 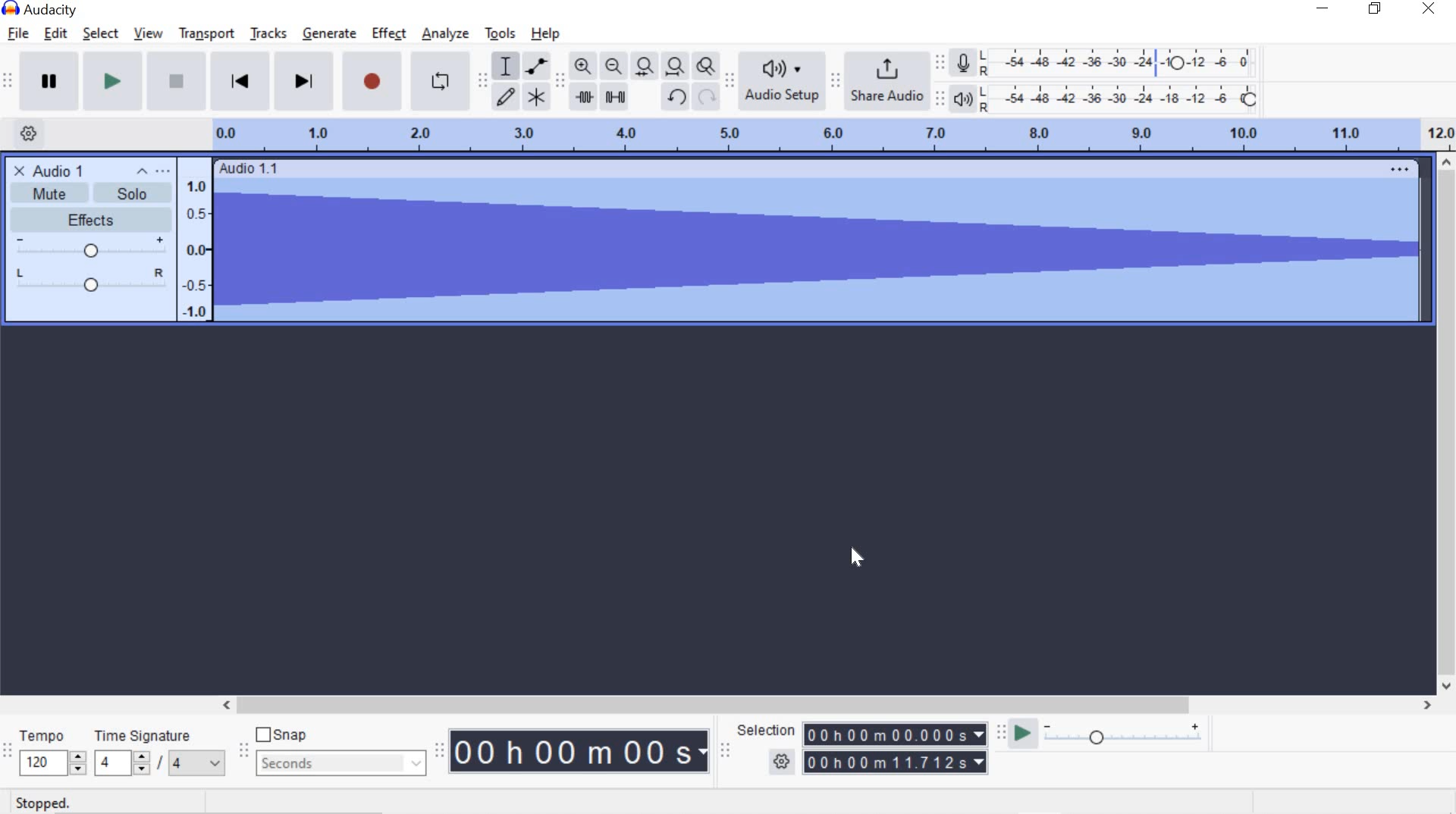 What do you see at coordinates (19, 169) in the screenshot?
I see `Delete track` at bounding box center [19, 169].